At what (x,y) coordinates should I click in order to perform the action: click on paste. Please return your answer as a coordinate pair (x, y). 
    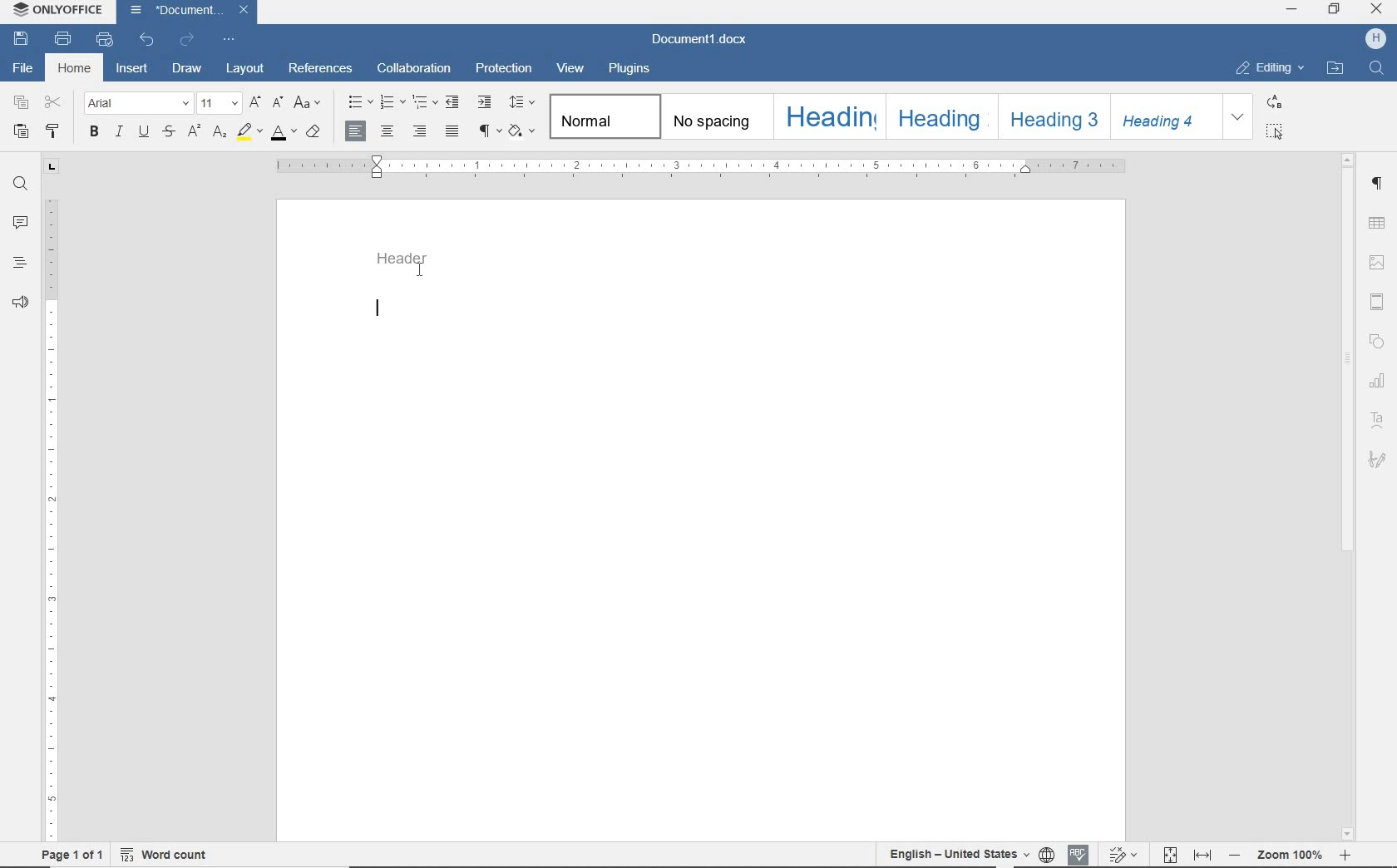
    Looking at the image, I should click on (22, 131).